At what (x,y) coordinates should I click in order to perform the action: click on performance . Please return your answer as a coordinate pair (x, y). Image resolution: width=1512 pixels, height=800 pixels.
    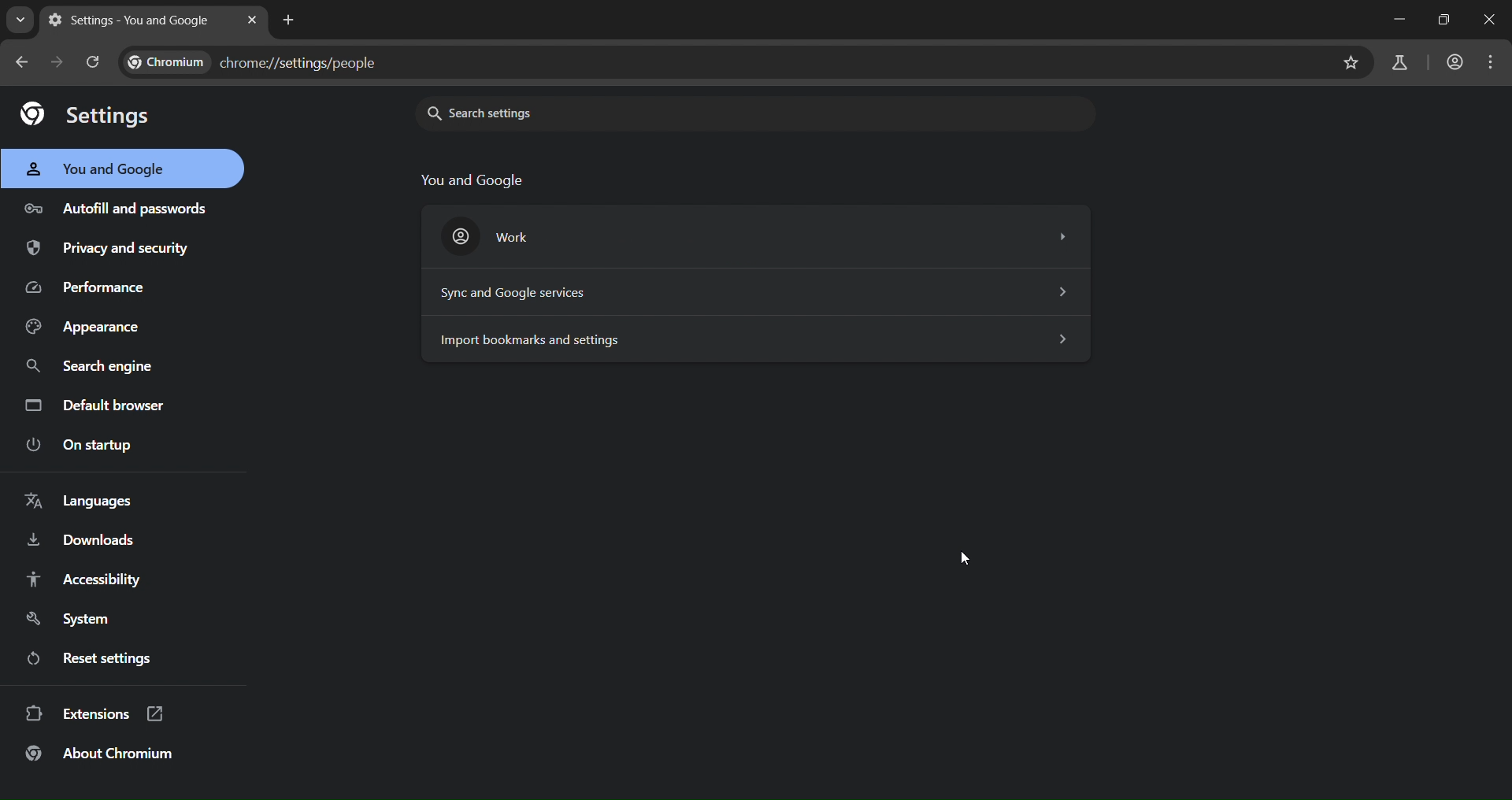
    Looking at the image, I should click on (90, 291).